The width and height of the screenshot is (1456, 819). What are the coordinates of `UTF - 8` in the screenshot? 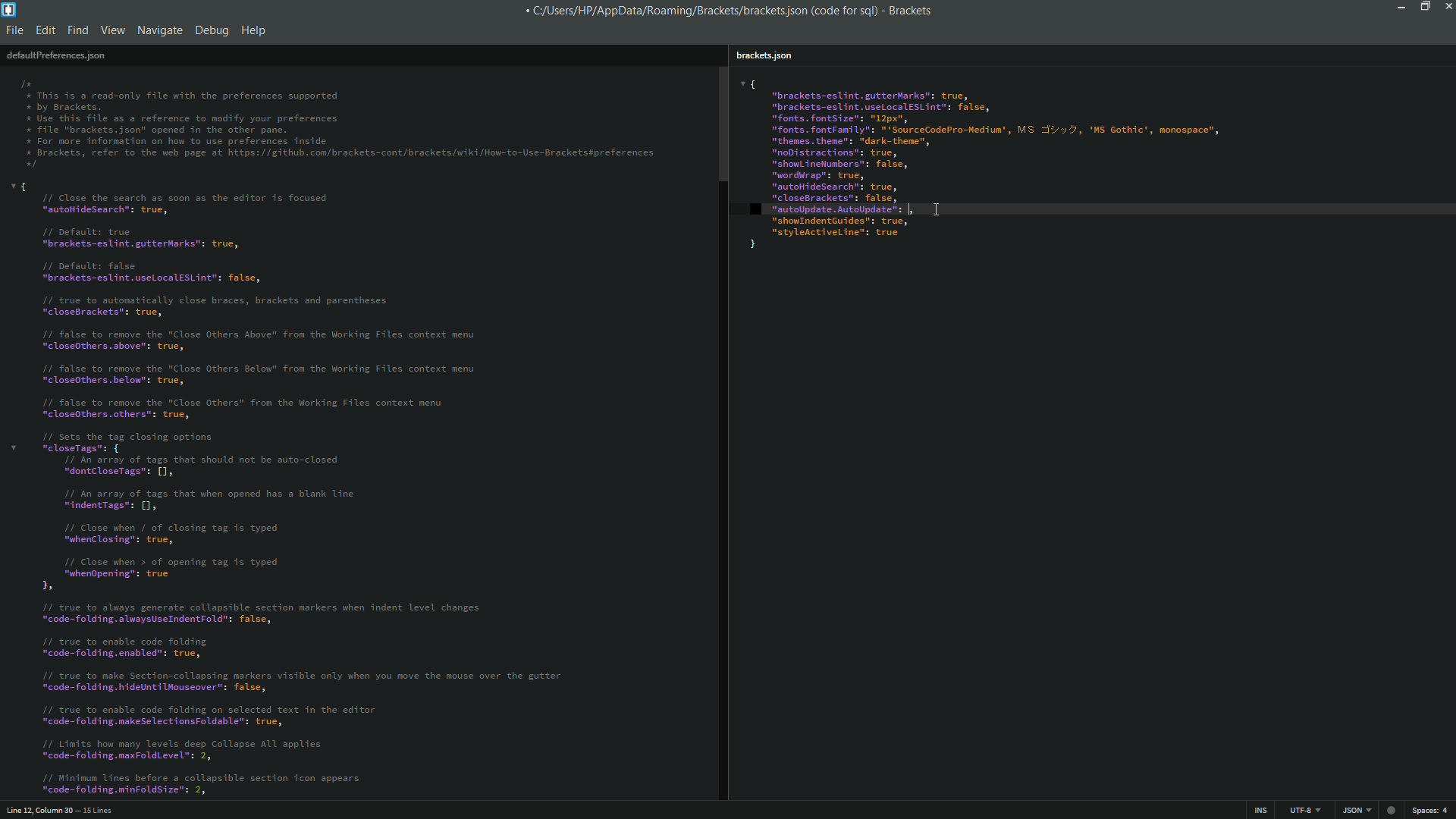 It's located at (1301, 809).